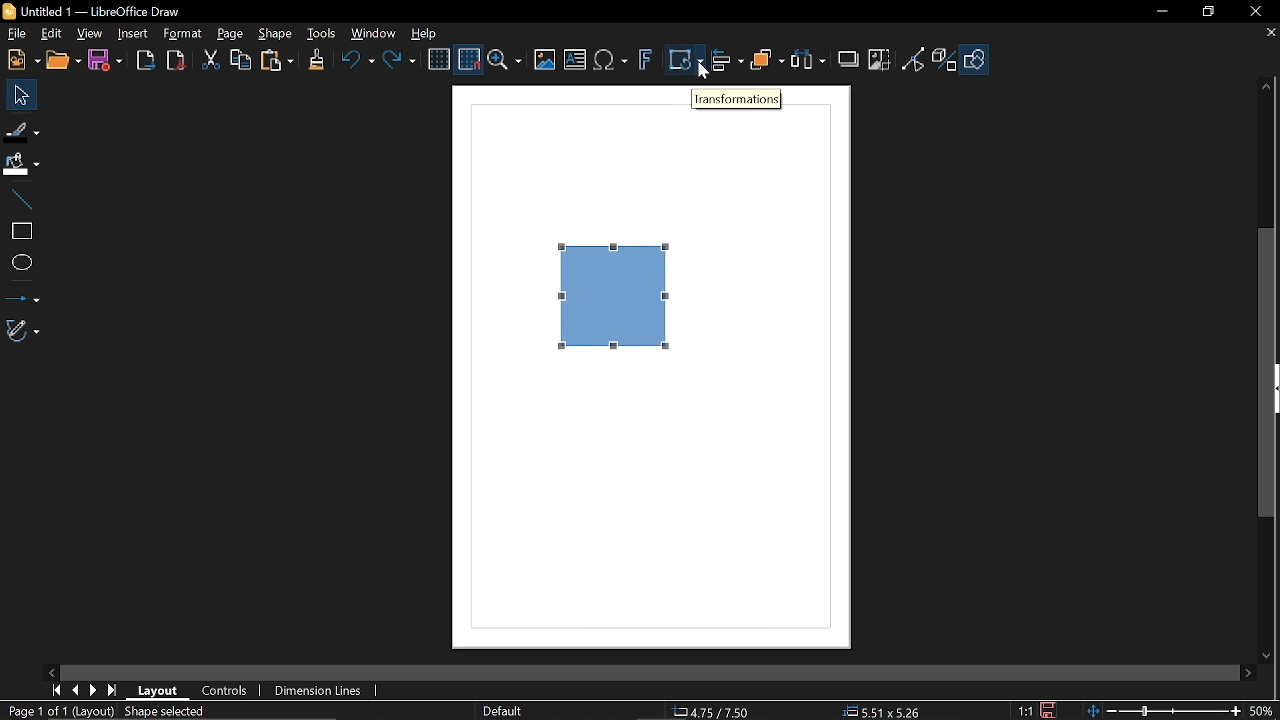  I want to click on Go to first page , so click(56, 691).